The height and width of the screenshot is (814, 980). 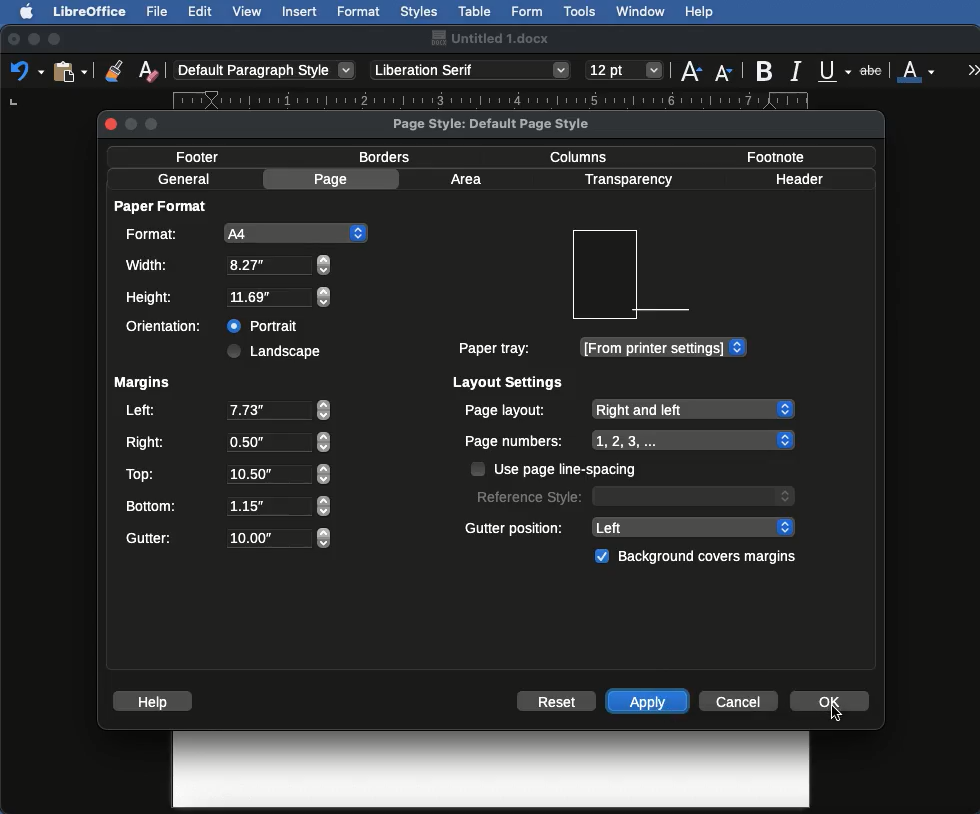 I want to click on Maximize, so click(x=56, y=39).